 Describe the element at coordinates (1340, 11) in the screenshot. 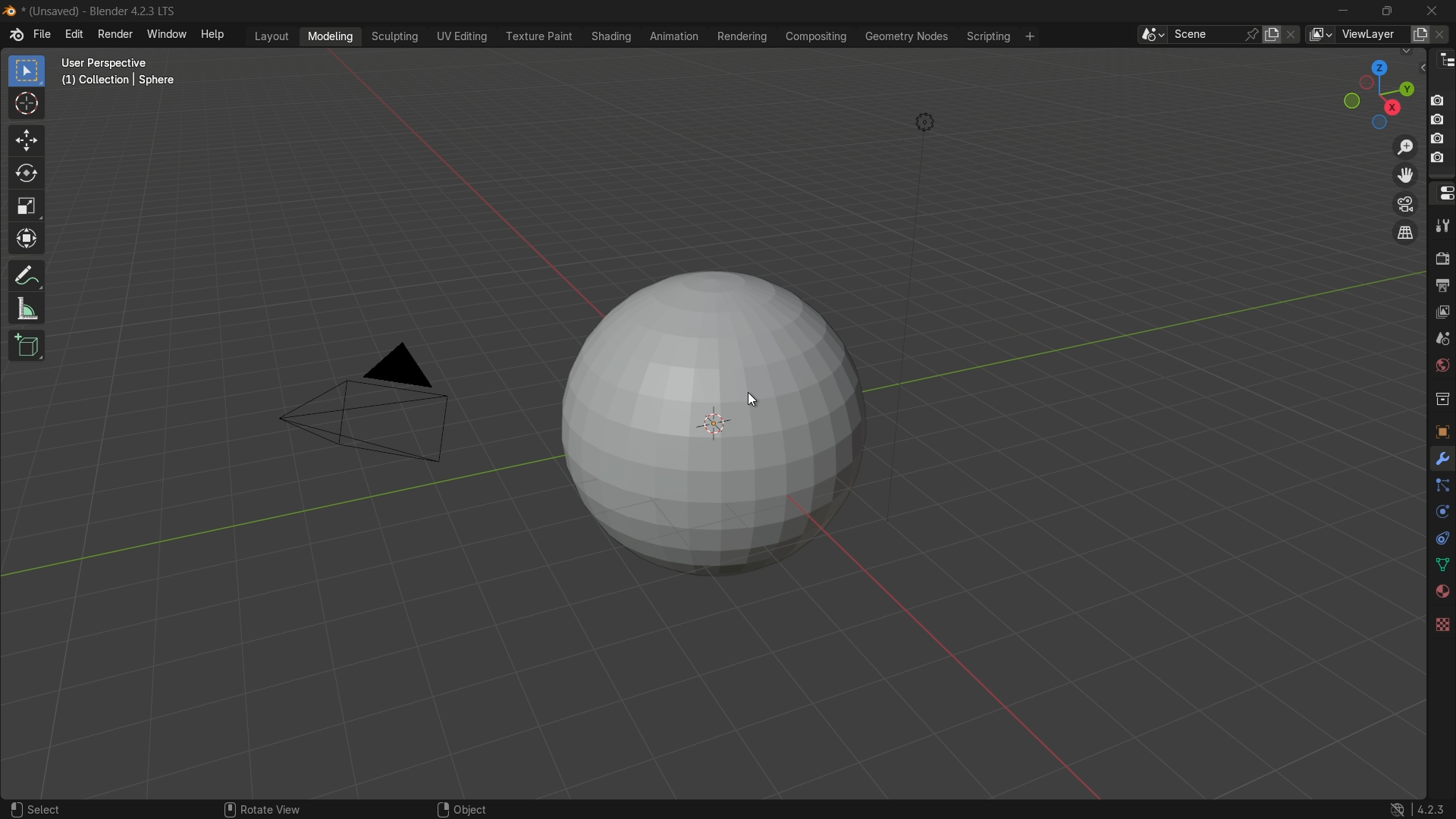

I see `minimize` at that location.